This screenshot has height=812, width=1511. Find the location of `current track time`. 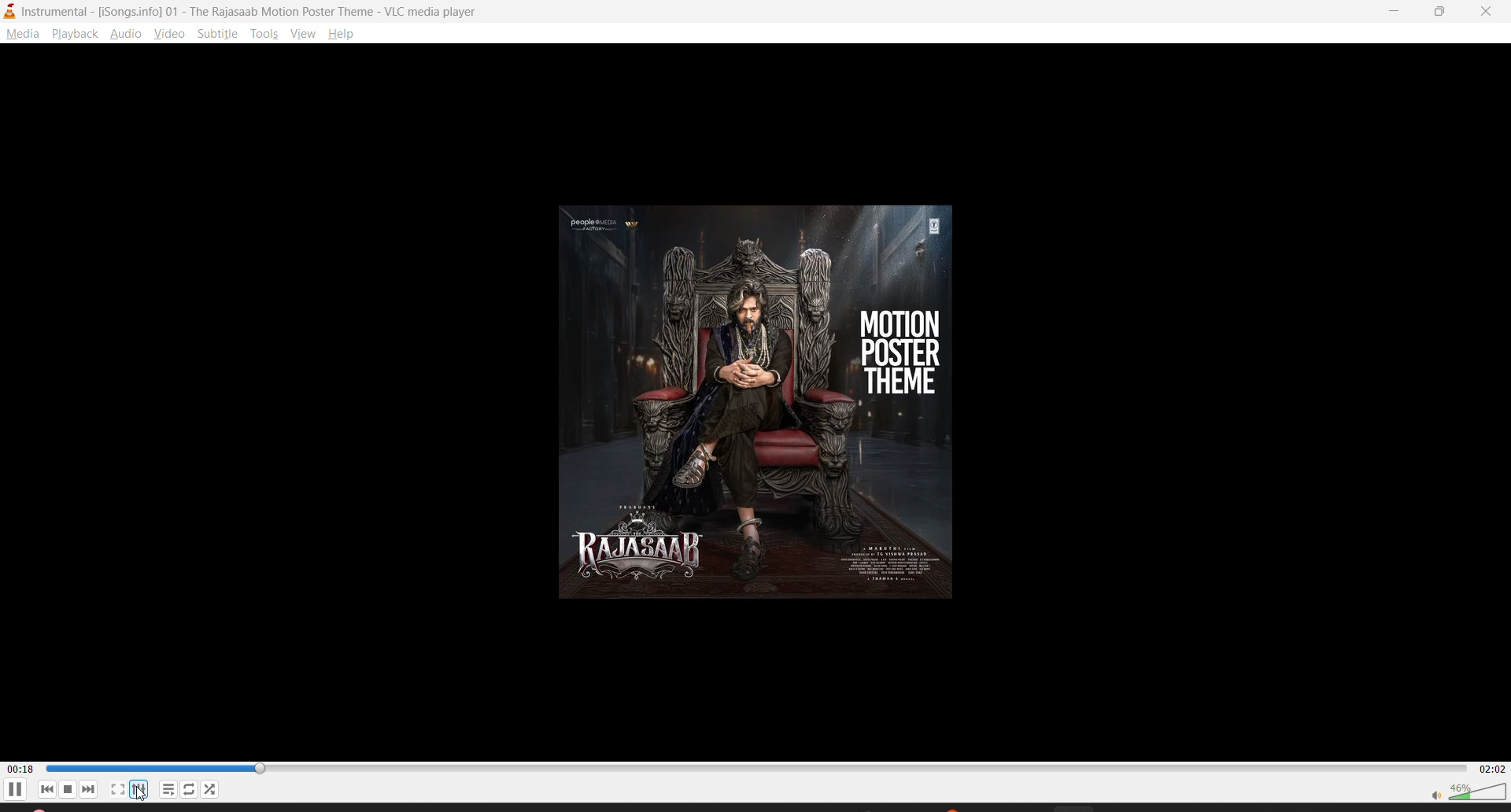

current track time is located at coordinates (20, 768).